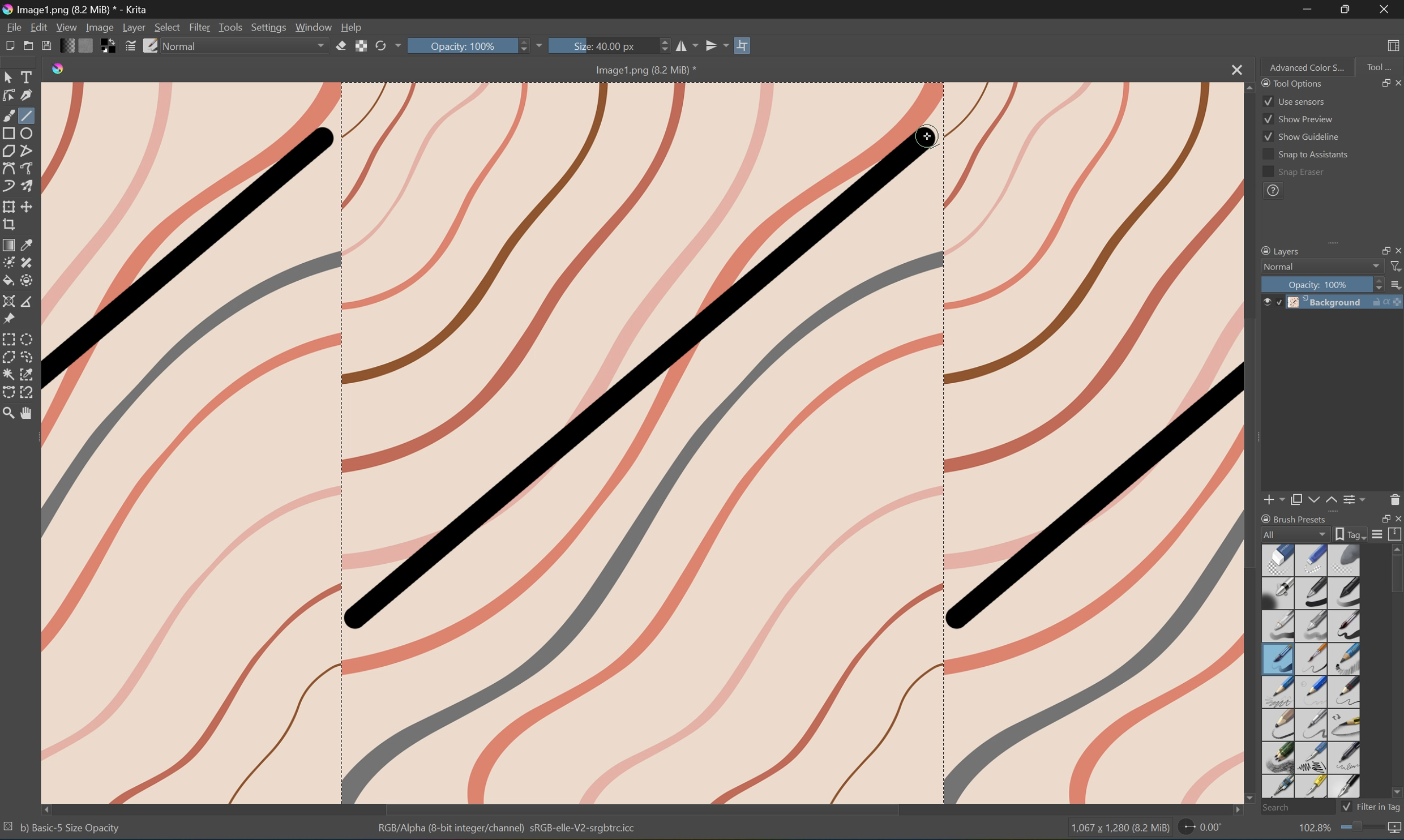  Describe the element at coordinates (9, 262) in the screenshot. I see `Colorize mask tool` at that location.